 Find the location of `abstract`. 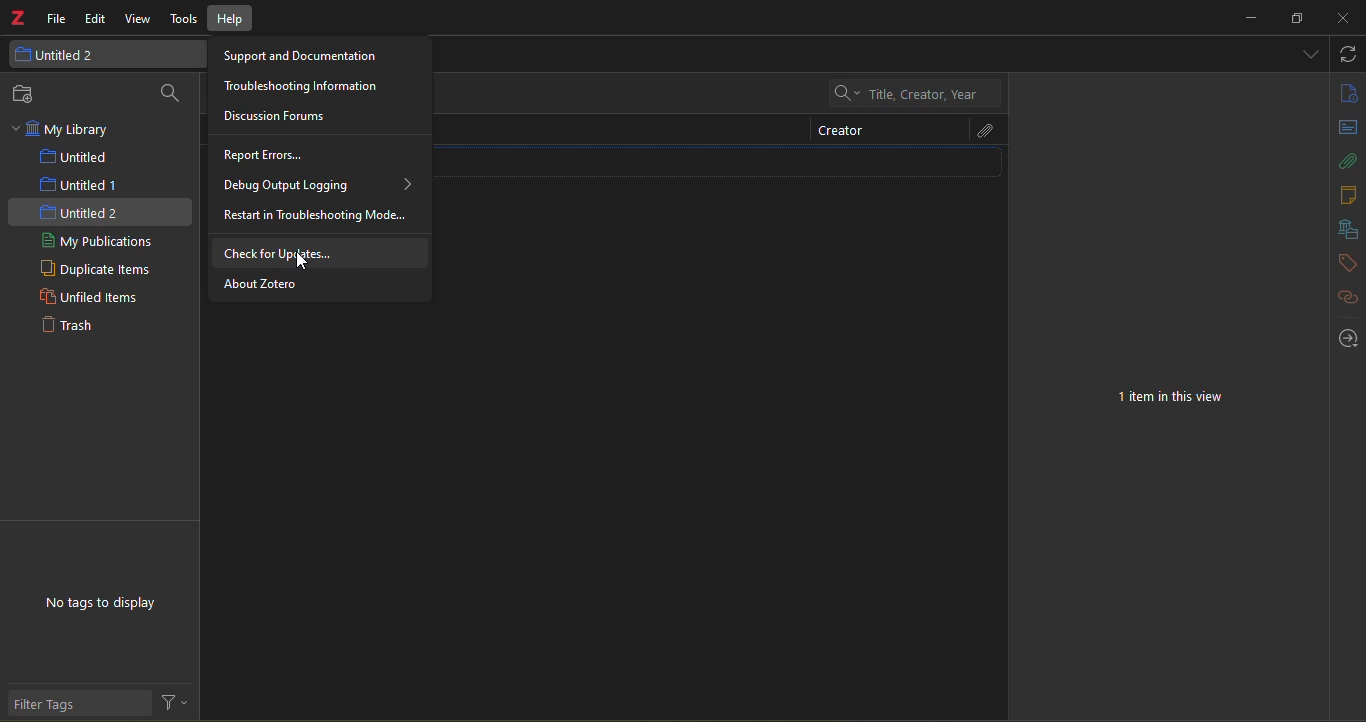

abstract is located at coordinates (1349, 127).